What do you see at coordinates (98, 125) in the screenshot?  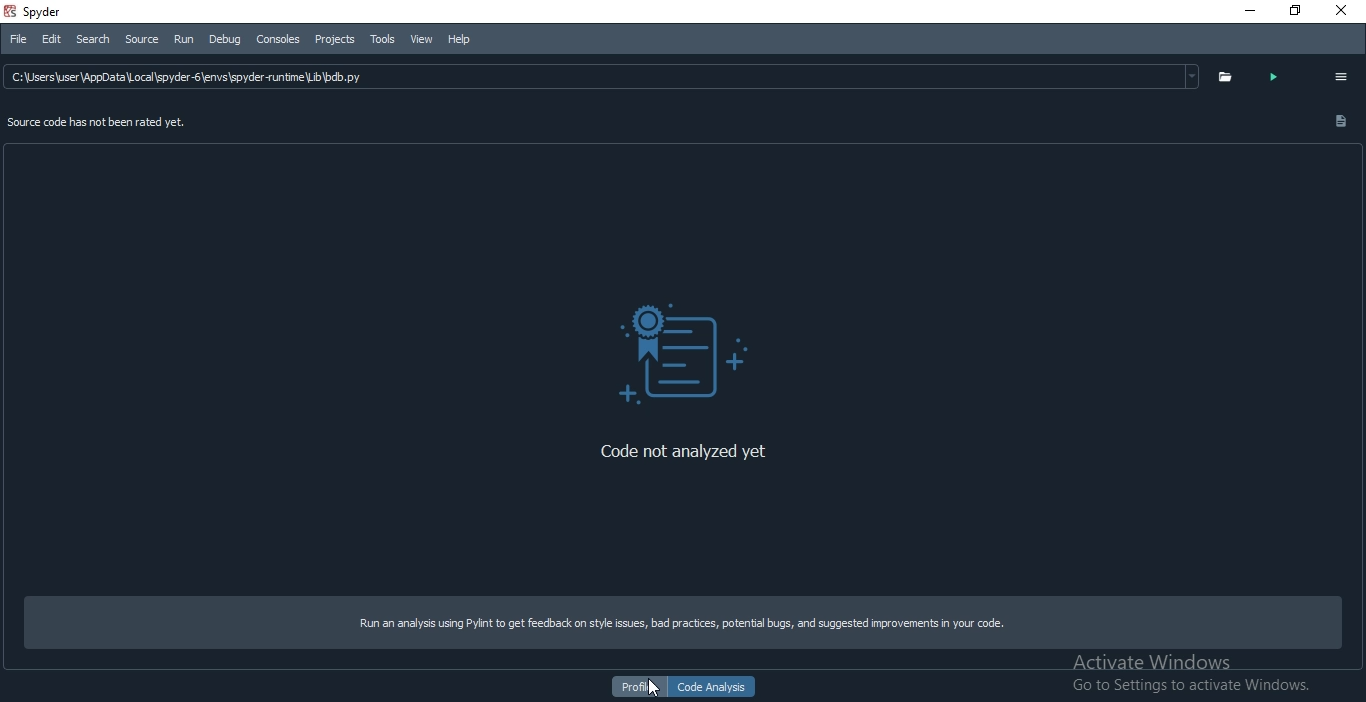 I see `Source code has not been rated yet.` at bounding box center [98, 125].